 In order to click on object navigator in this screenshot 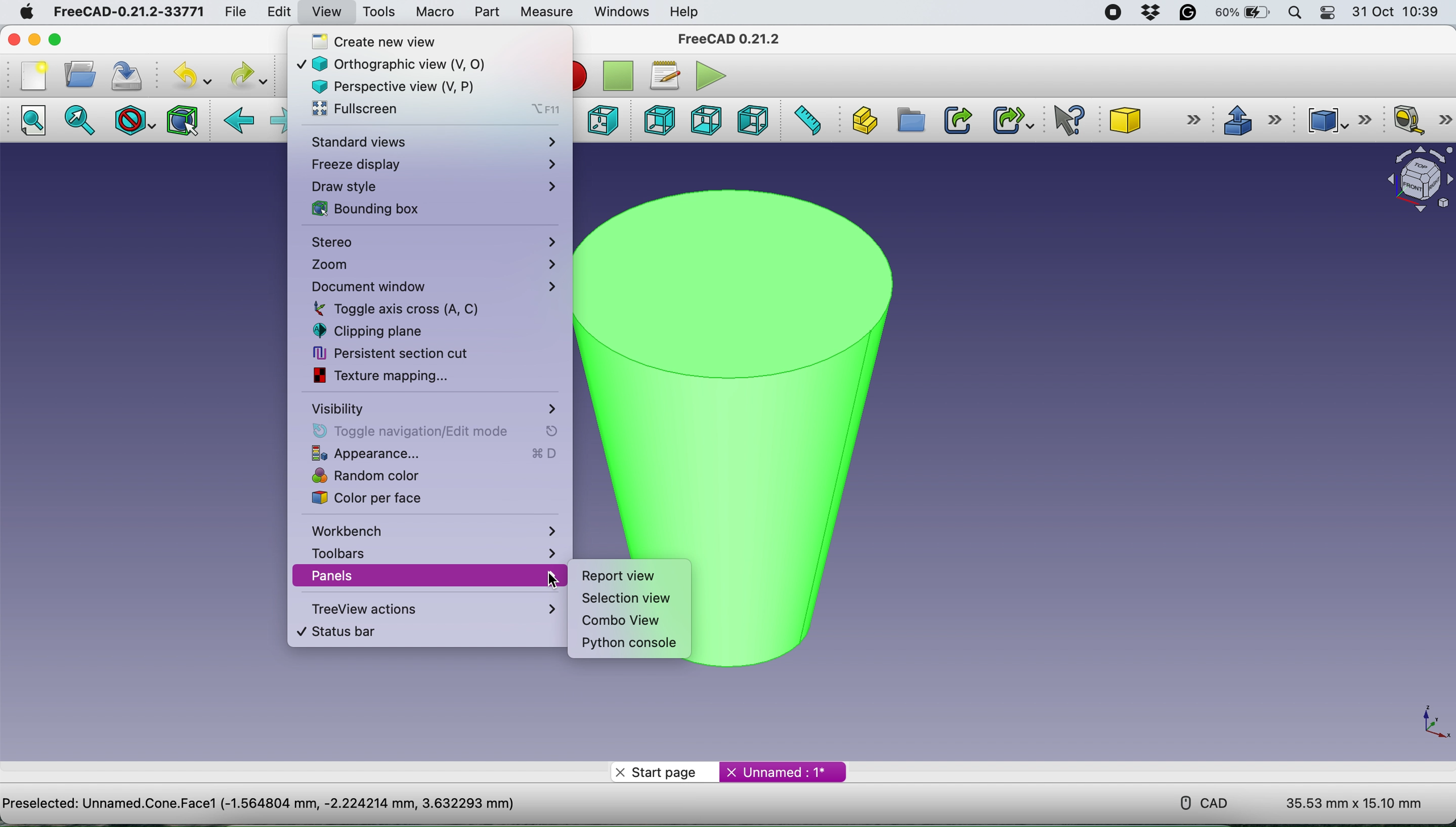, I will do `click(1413, 179)`.